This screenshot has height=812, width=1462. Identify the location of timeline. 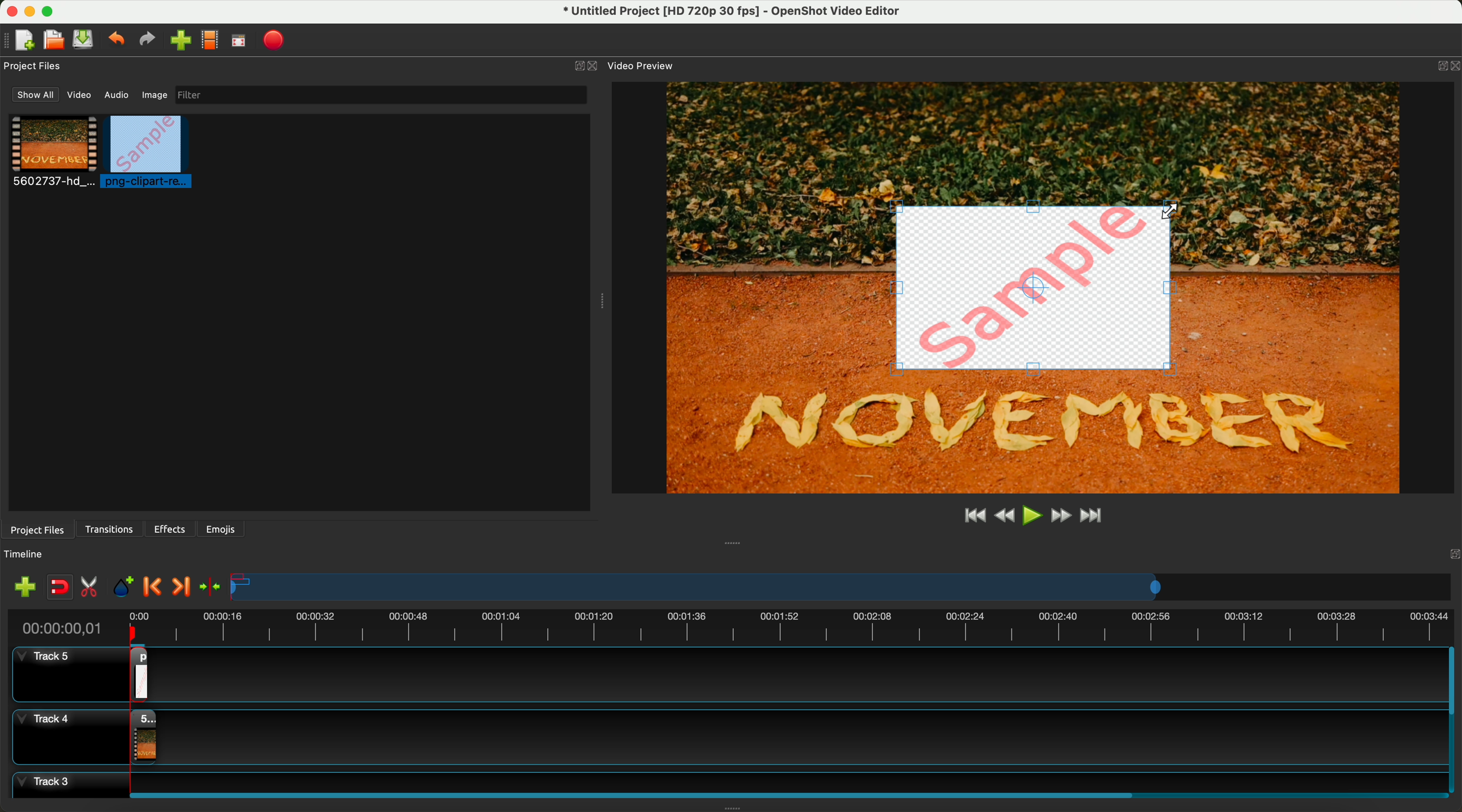
(30, 554).